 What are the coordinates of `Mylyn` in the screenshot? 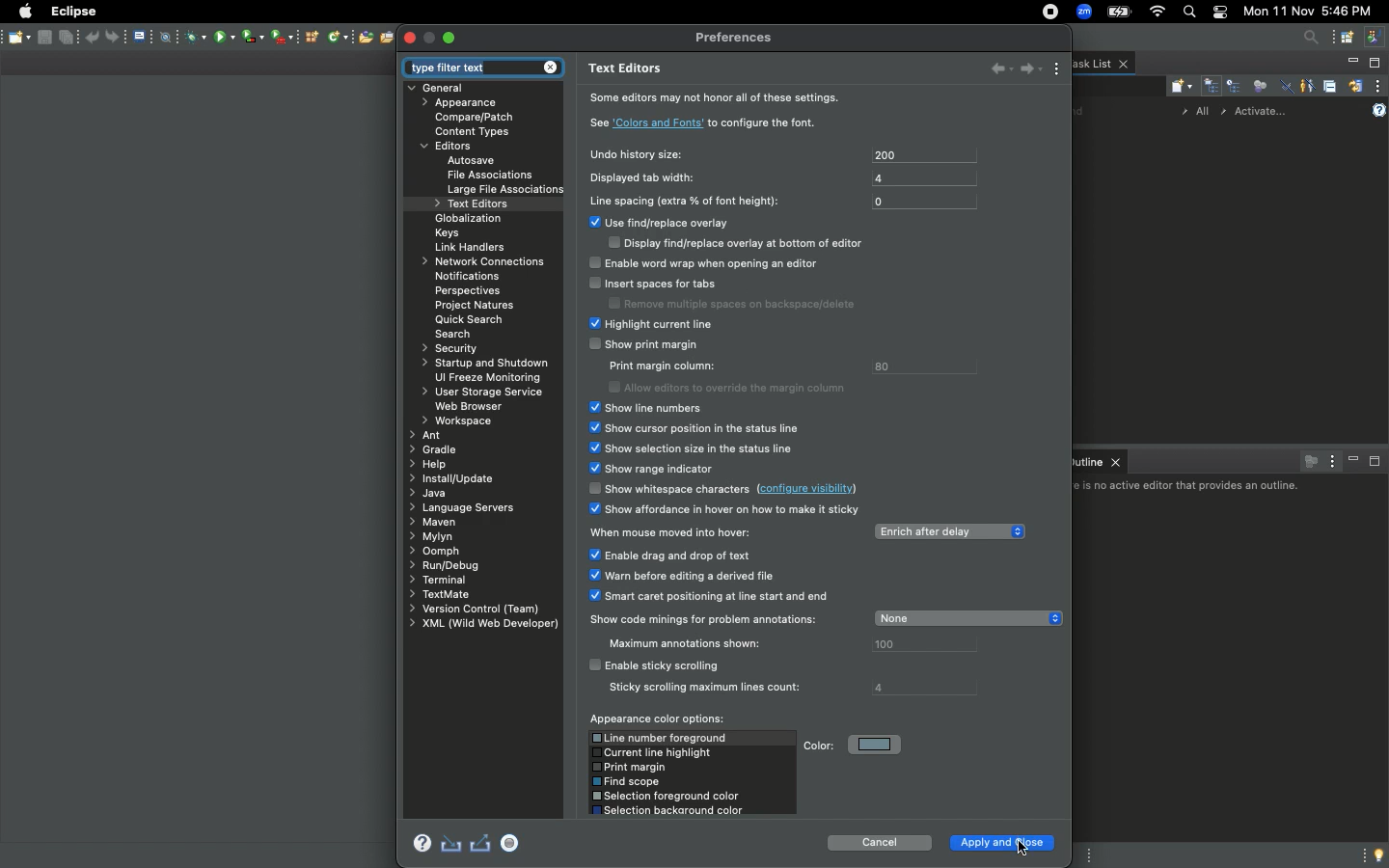 It's located at (432, 537).